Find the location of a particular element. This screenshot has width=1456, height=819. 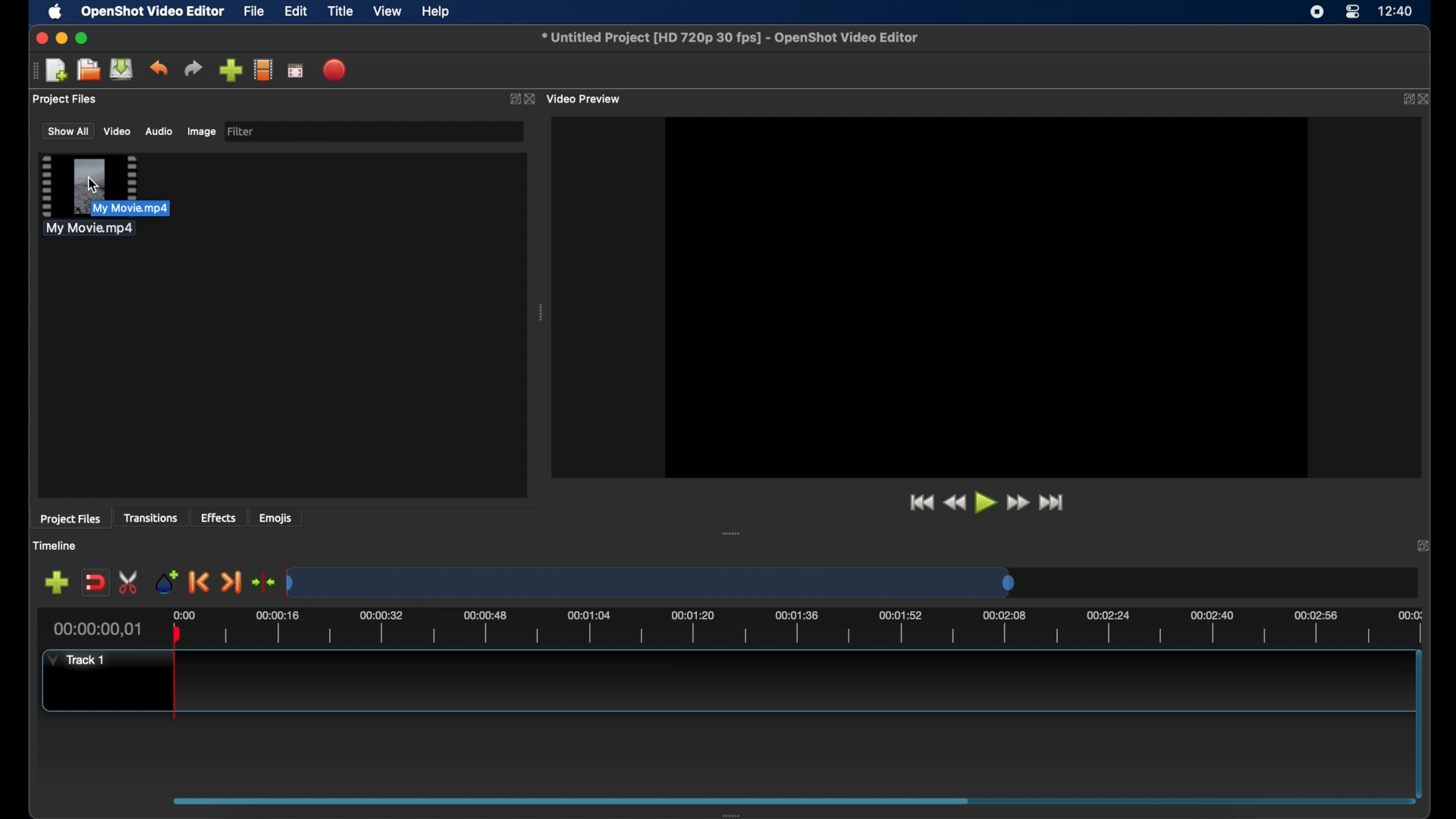

rewind is located at coordinates (955, 503).